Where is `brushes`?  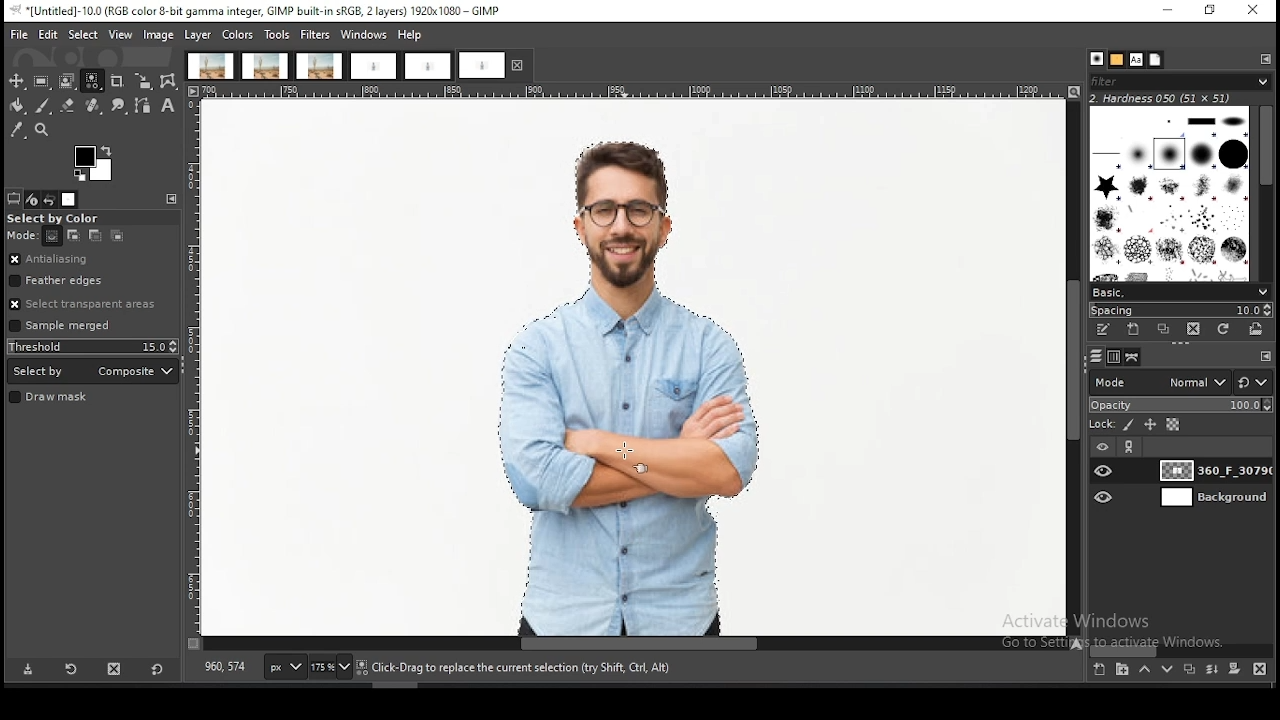 brushes is located at coordinates (1171, 193).